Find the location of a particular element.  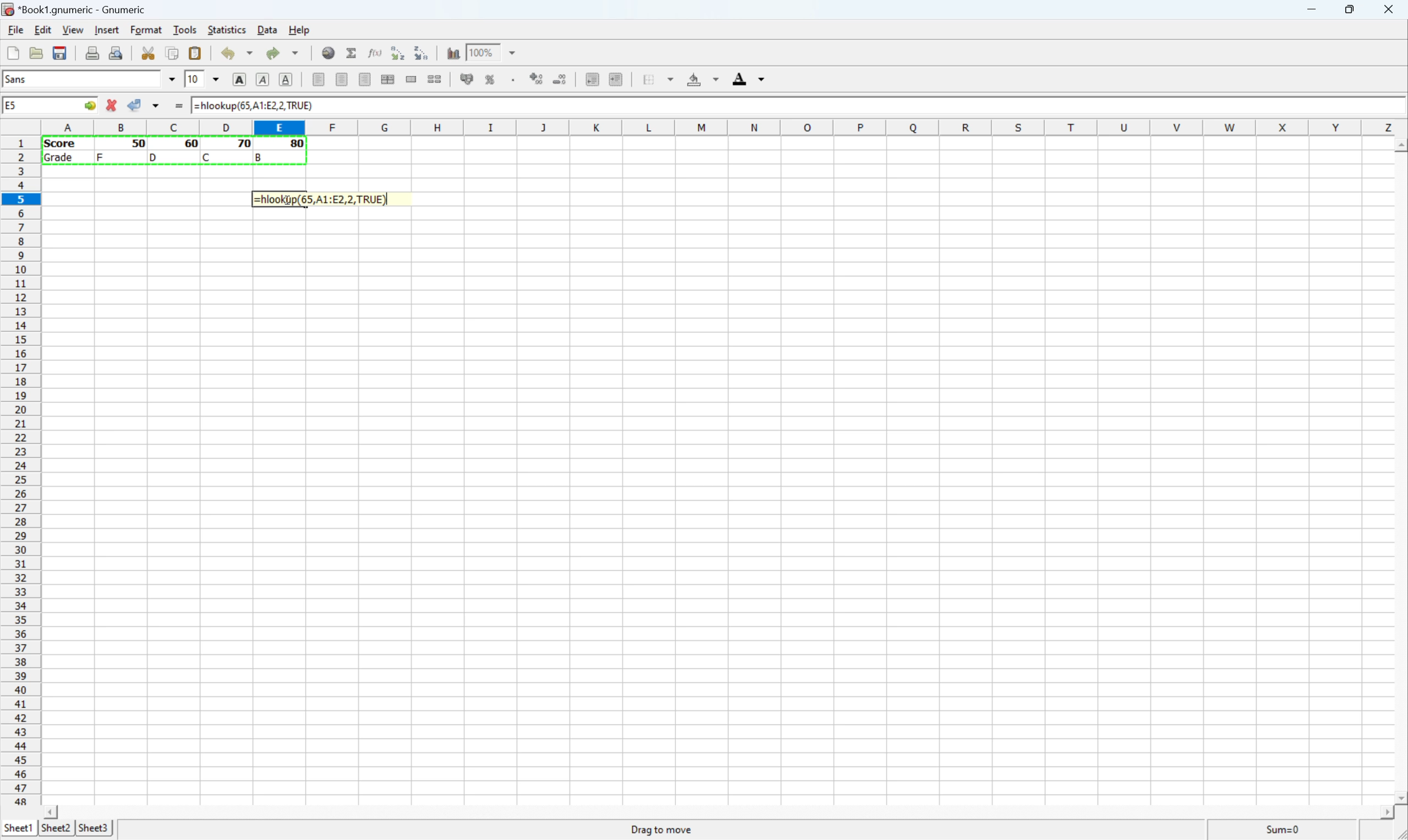

F is located at coordinates (101, 156).